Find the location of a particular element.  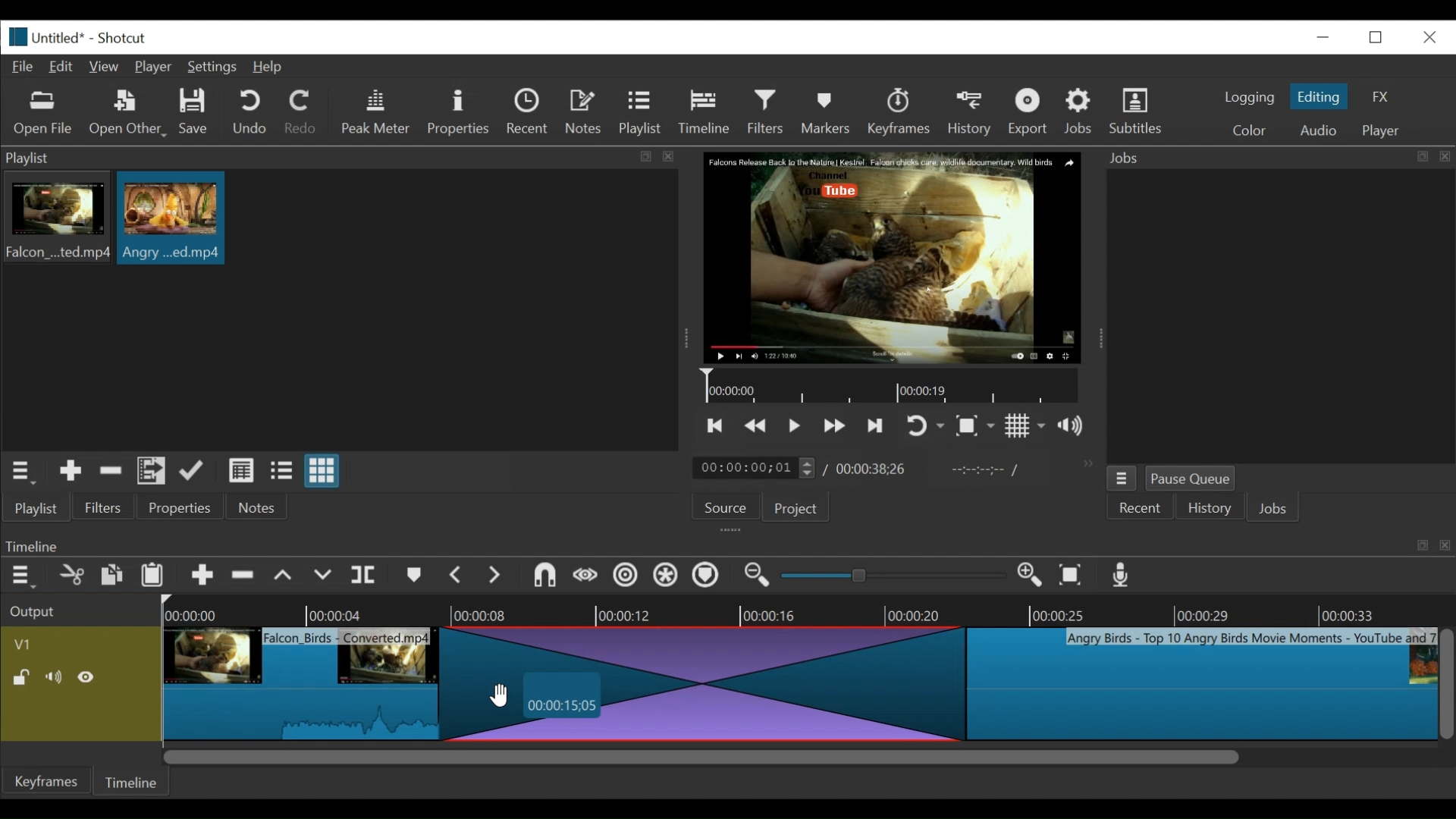

Append is located at coordinates (202, 579).